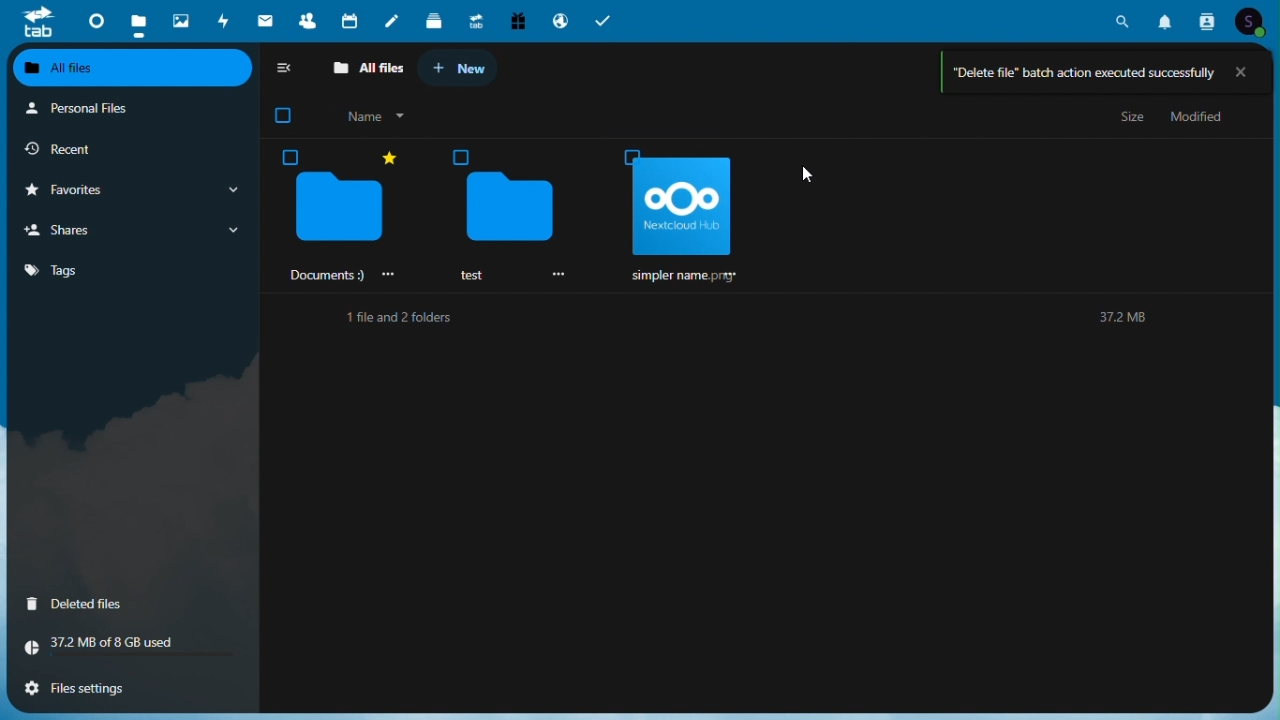 The width and height of the screenshot is (1280, 720). What do you see at coordinates (339, 215) in the screenshot?
I see `‘Documents :)` at bounding box center [339, 215].